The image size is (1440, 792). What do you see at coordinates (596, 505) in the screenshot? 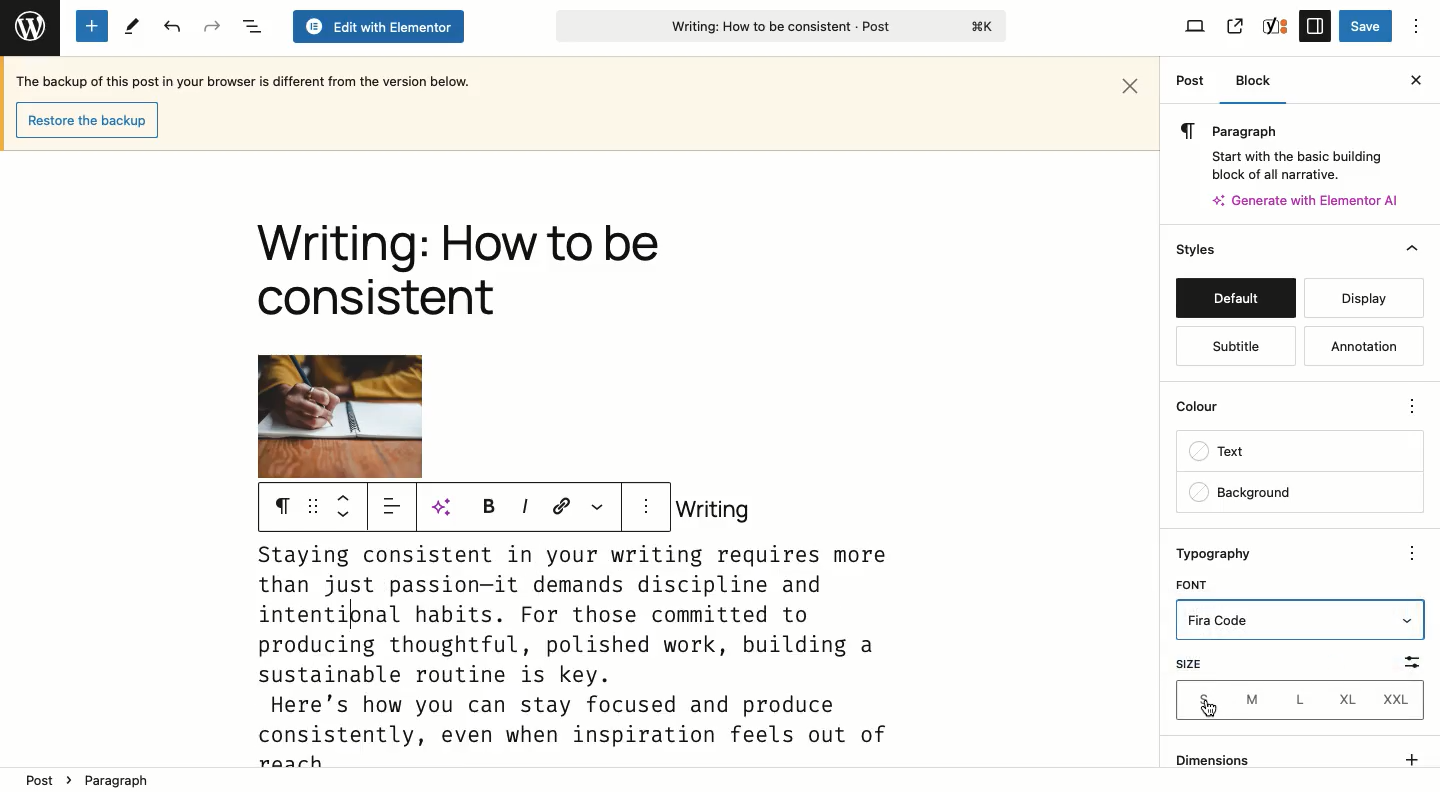
I see `More` at bounding box center [596, 505].